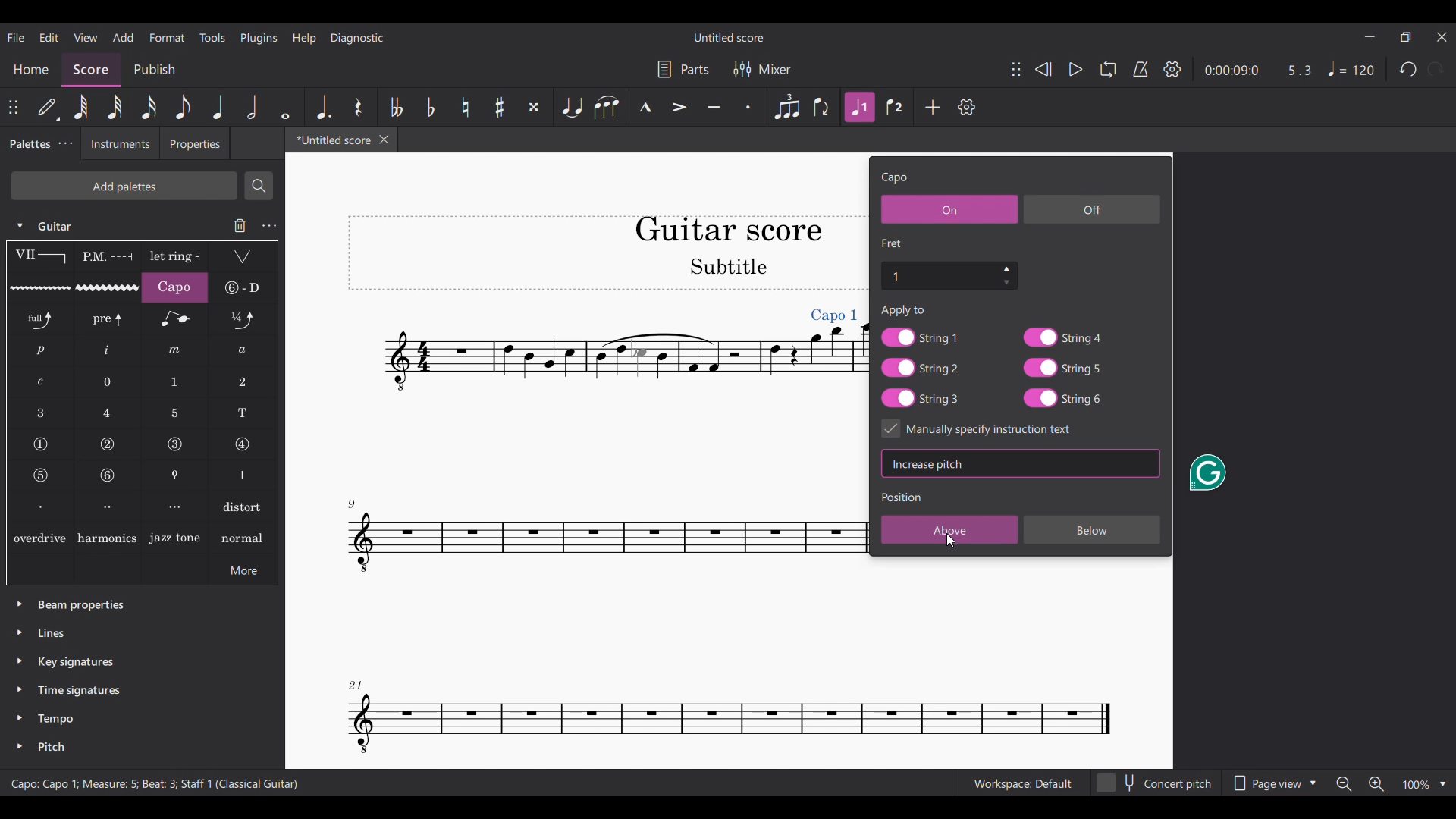 This screenshot has height=819, width=1456. What do you see at coordinates (762, 69) in the screenshot?
I see `Mixer settings` at bounding box center [762, 69].